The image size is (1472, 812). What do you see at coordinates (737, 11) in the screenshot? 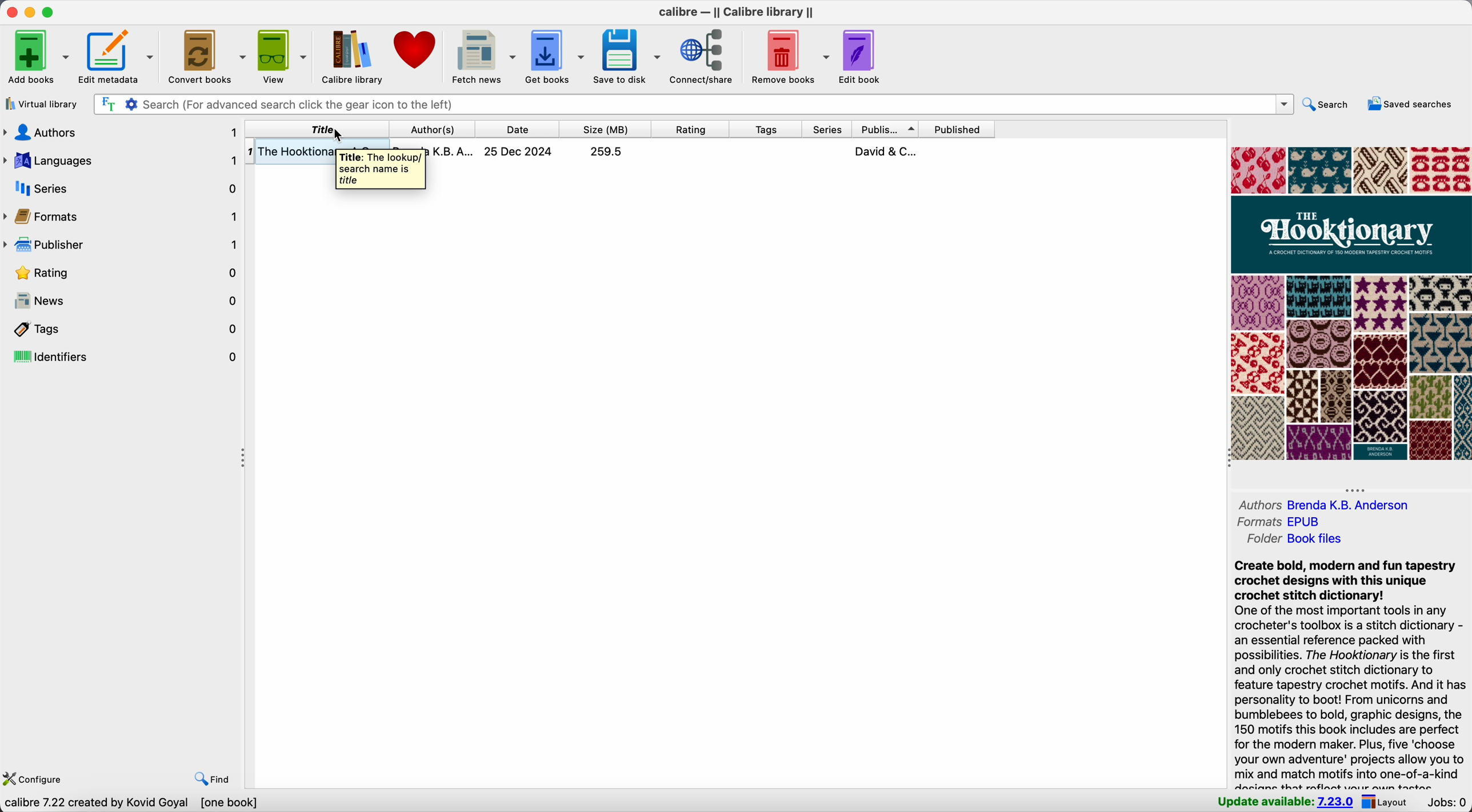
I see `Calibre - || Calibre library ||` at bounding box center [737, 11].